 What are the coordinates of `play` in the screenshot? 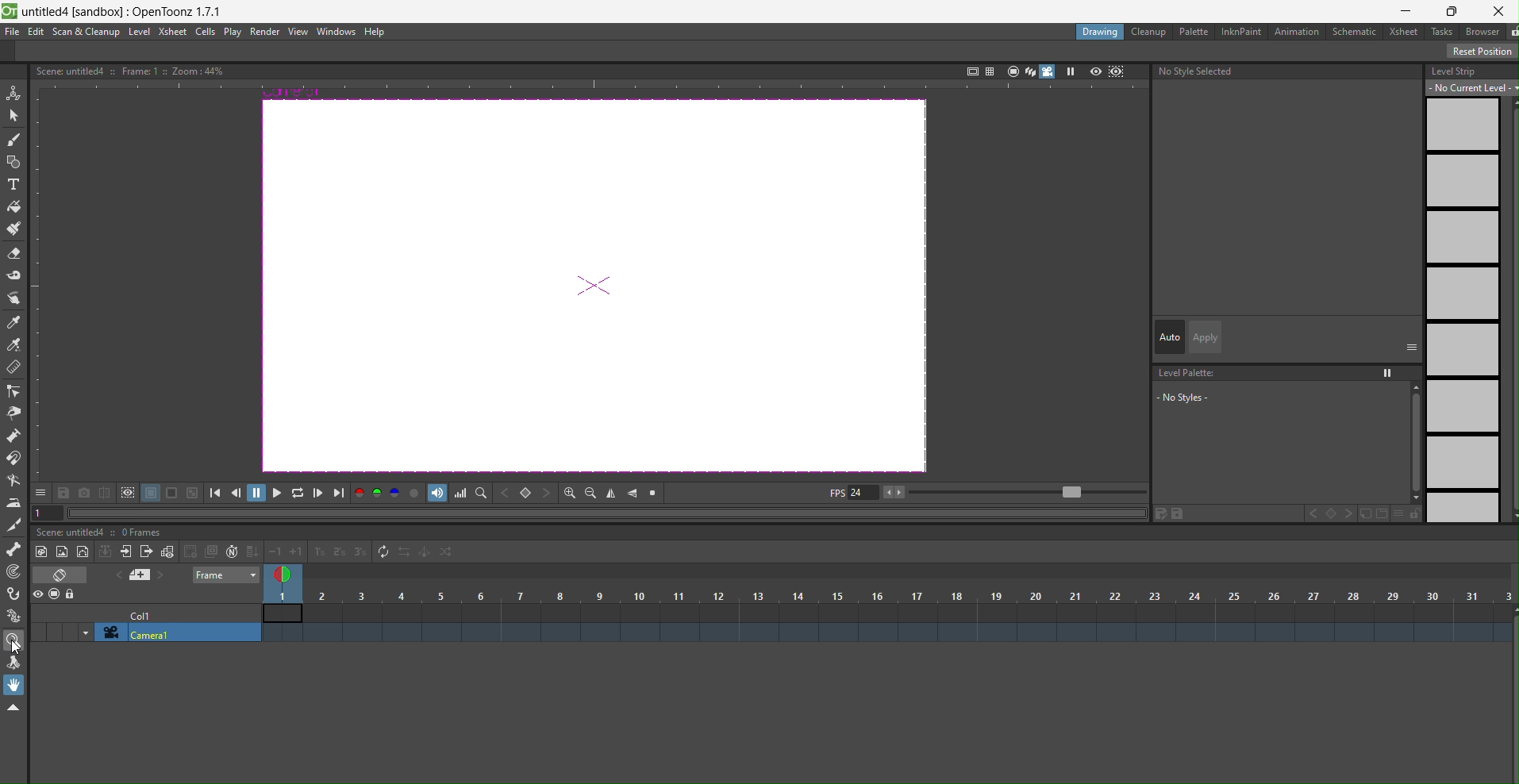 It's located at (234, 33).